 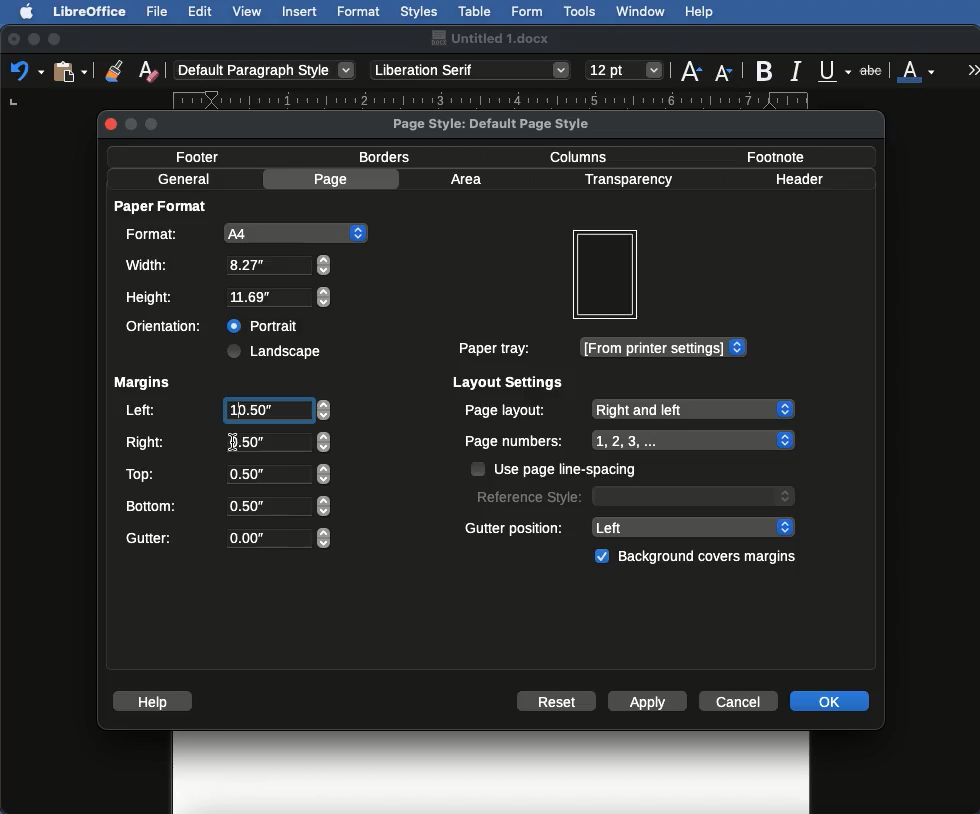 I want to click on Header, so click(x=799, y=179).